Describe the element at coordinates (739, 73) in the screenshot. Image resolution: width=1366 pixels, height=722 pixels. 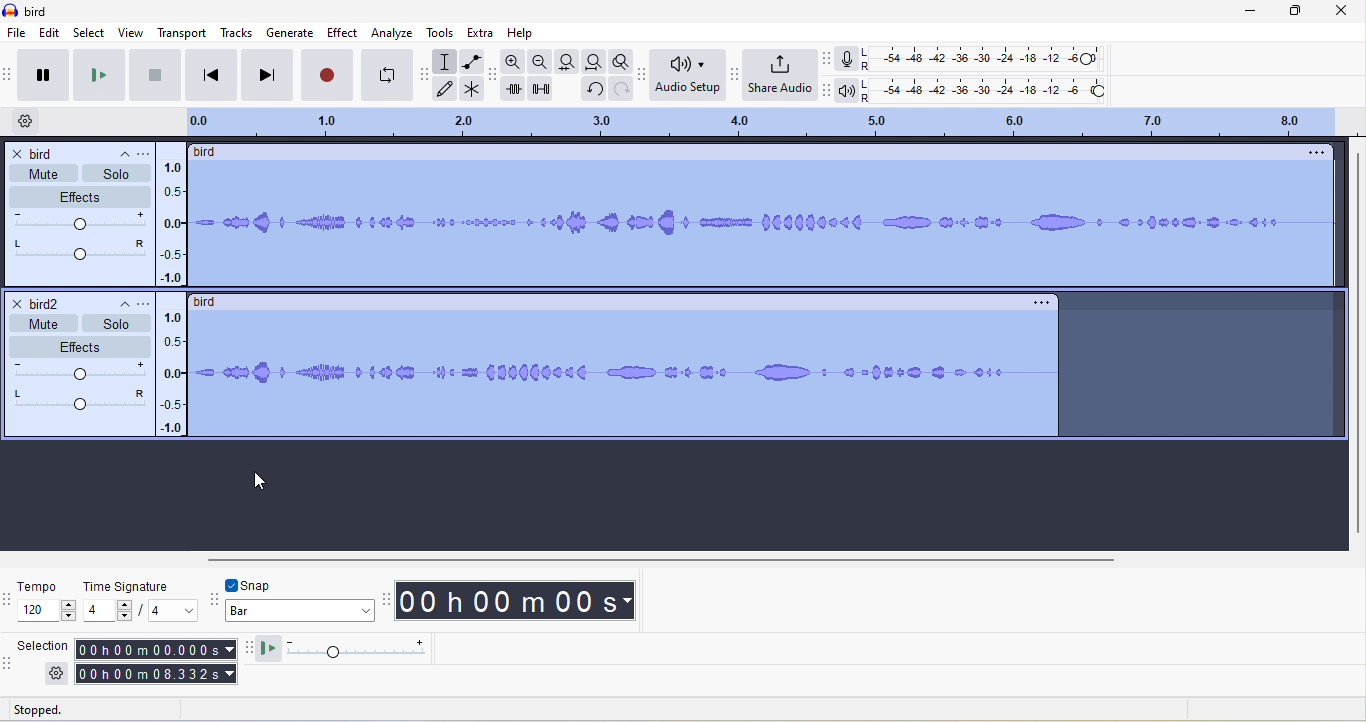
I see `audacity share audio toolbar` at that location.